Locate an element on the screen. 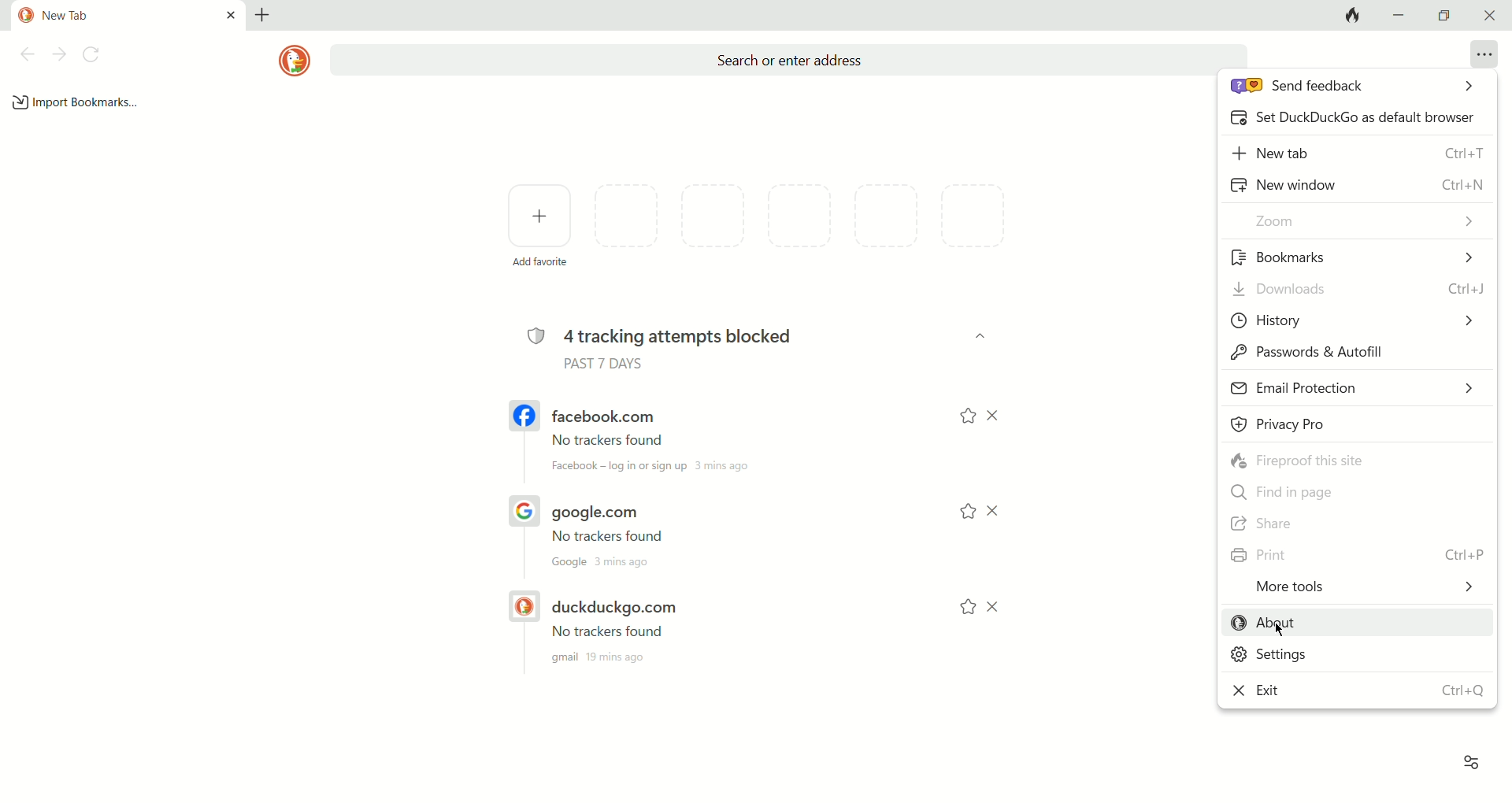 The image size is (1512, 803). passwords and autofill is located at coordinates (1350, 353).